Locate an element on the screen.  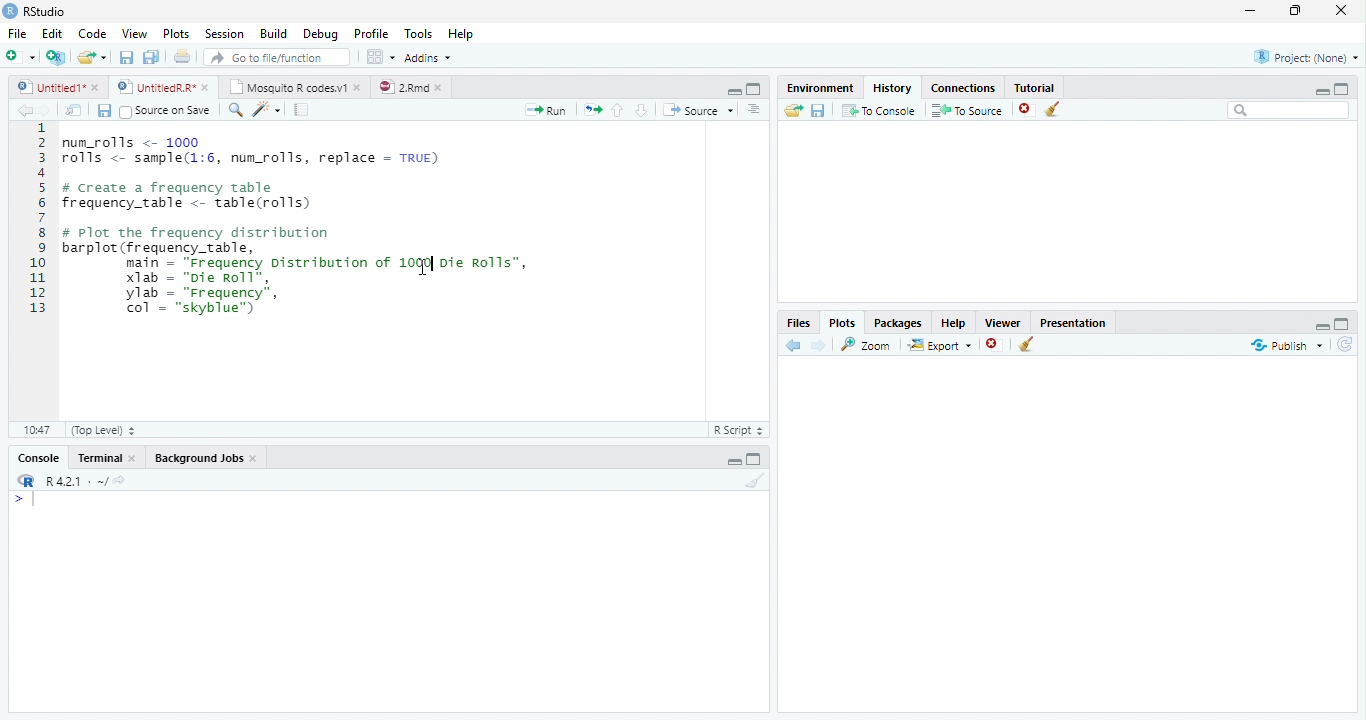
Session is located at coordinates (225, 33).